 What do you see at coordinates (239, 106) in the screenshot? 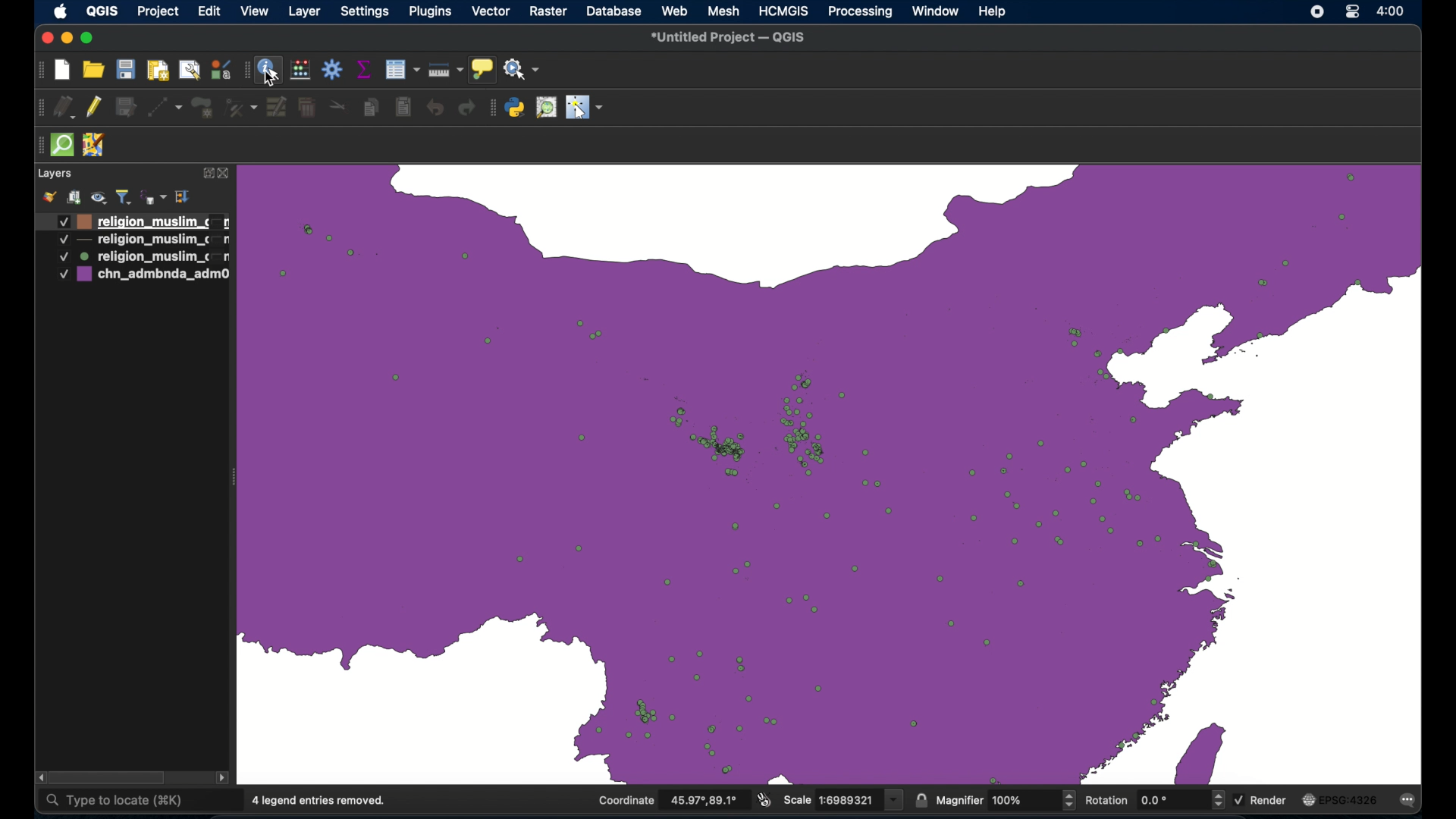
I see `vertex tool` at bounding box center [239, 106].